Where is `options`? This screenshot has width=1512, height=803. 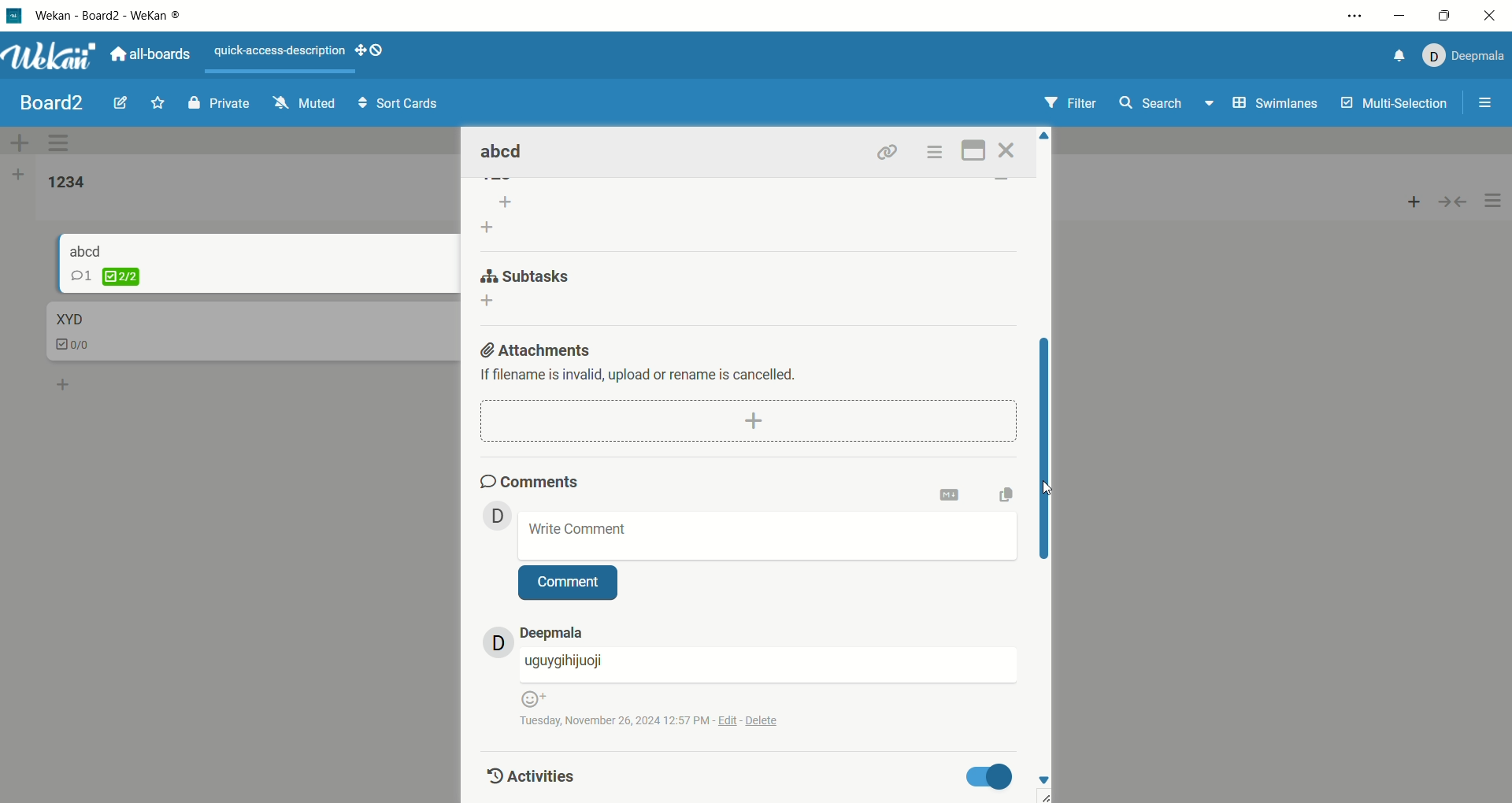 options is located at coordinates (1494, 202).